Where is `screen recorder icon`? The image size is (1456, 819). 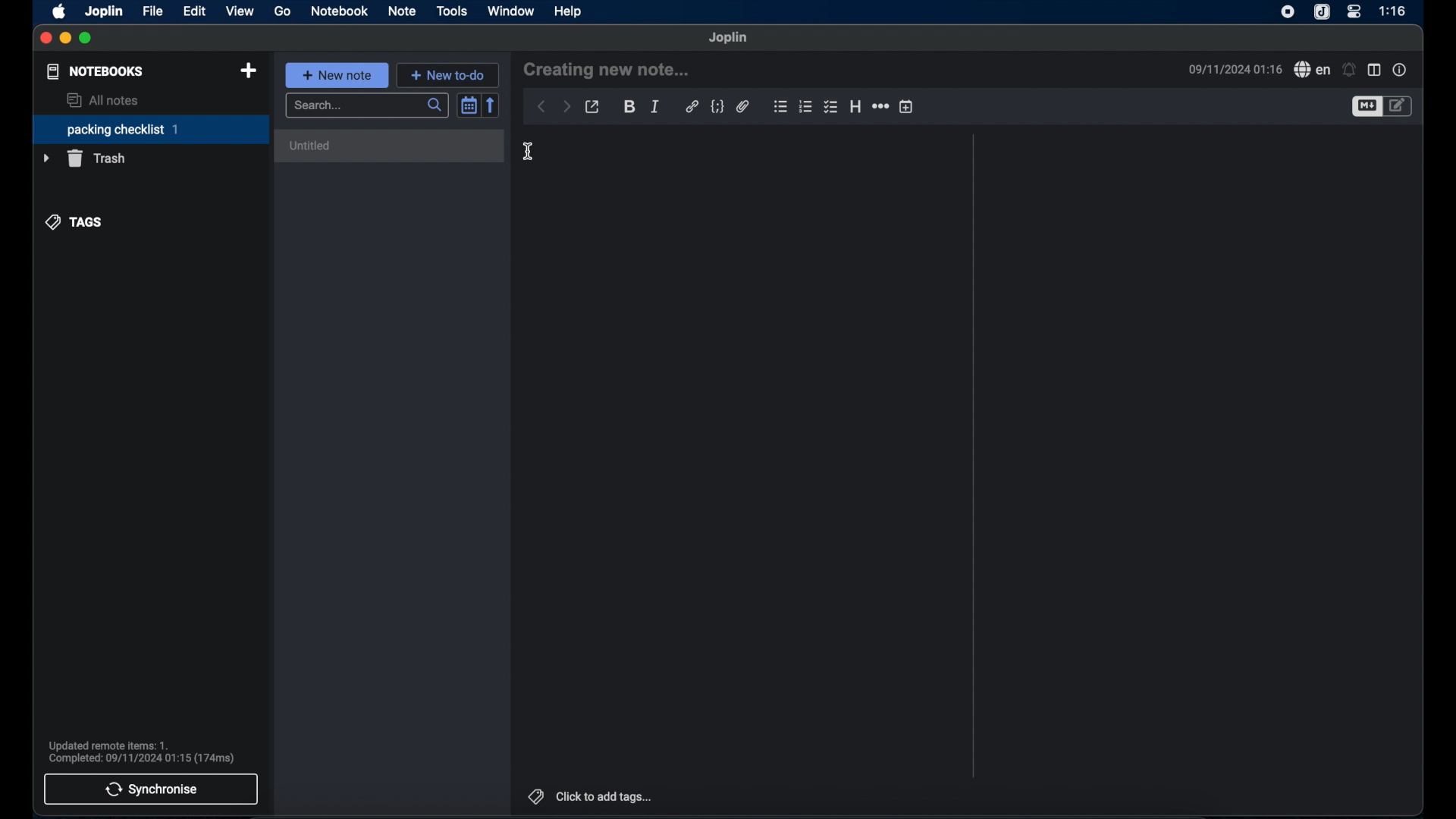 screen recorder icon is located at coordinates (1288, 13).